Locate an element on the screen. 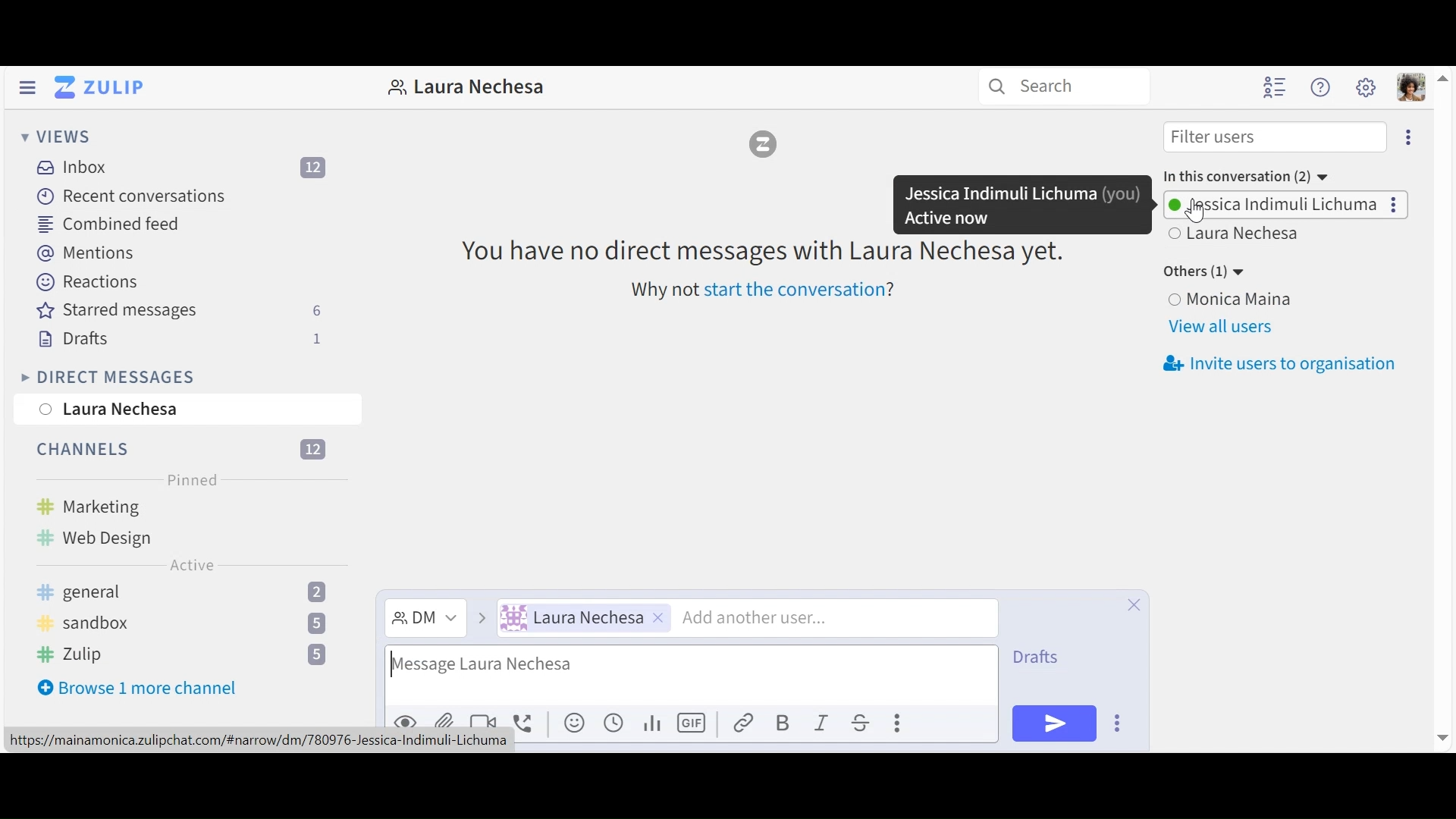 This screenshot has height=819, width=1456. Zulip logo is located at coordinates (766, 147).